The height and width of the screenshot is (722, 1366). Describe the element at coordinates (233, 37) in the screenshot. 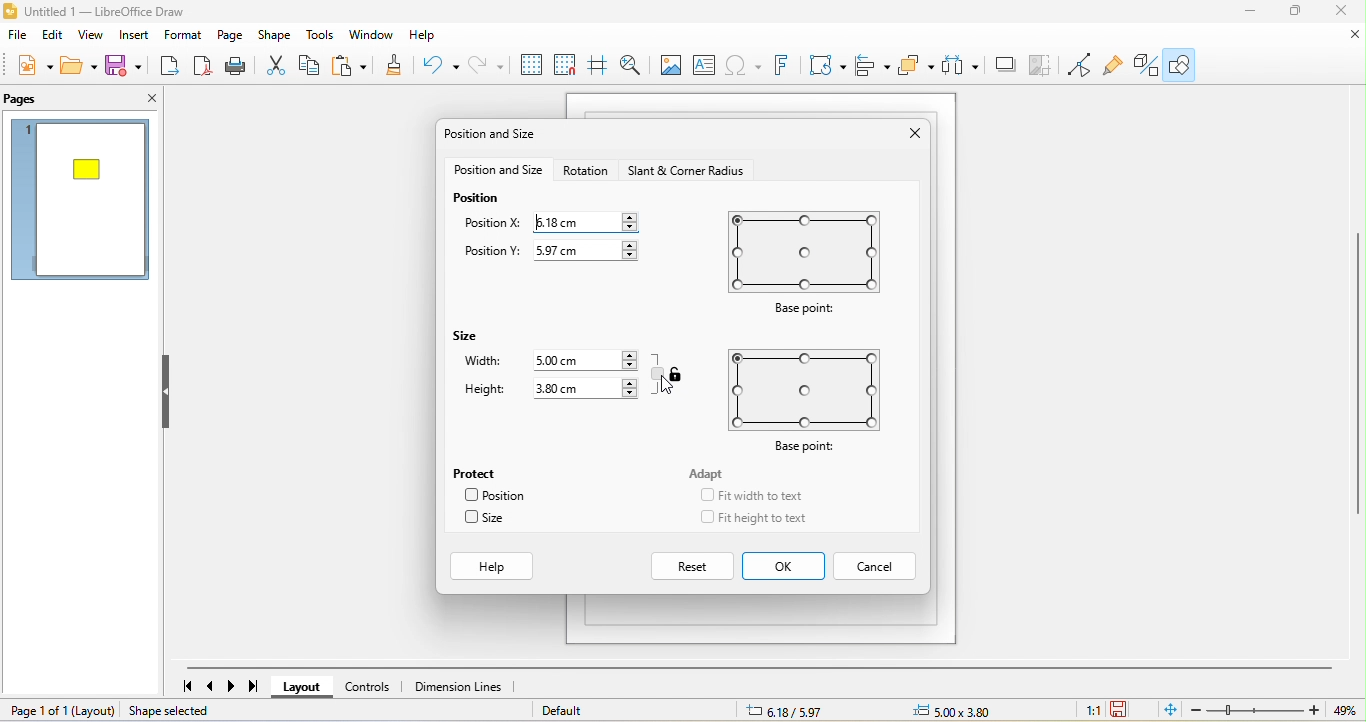

I see `page` at that location.